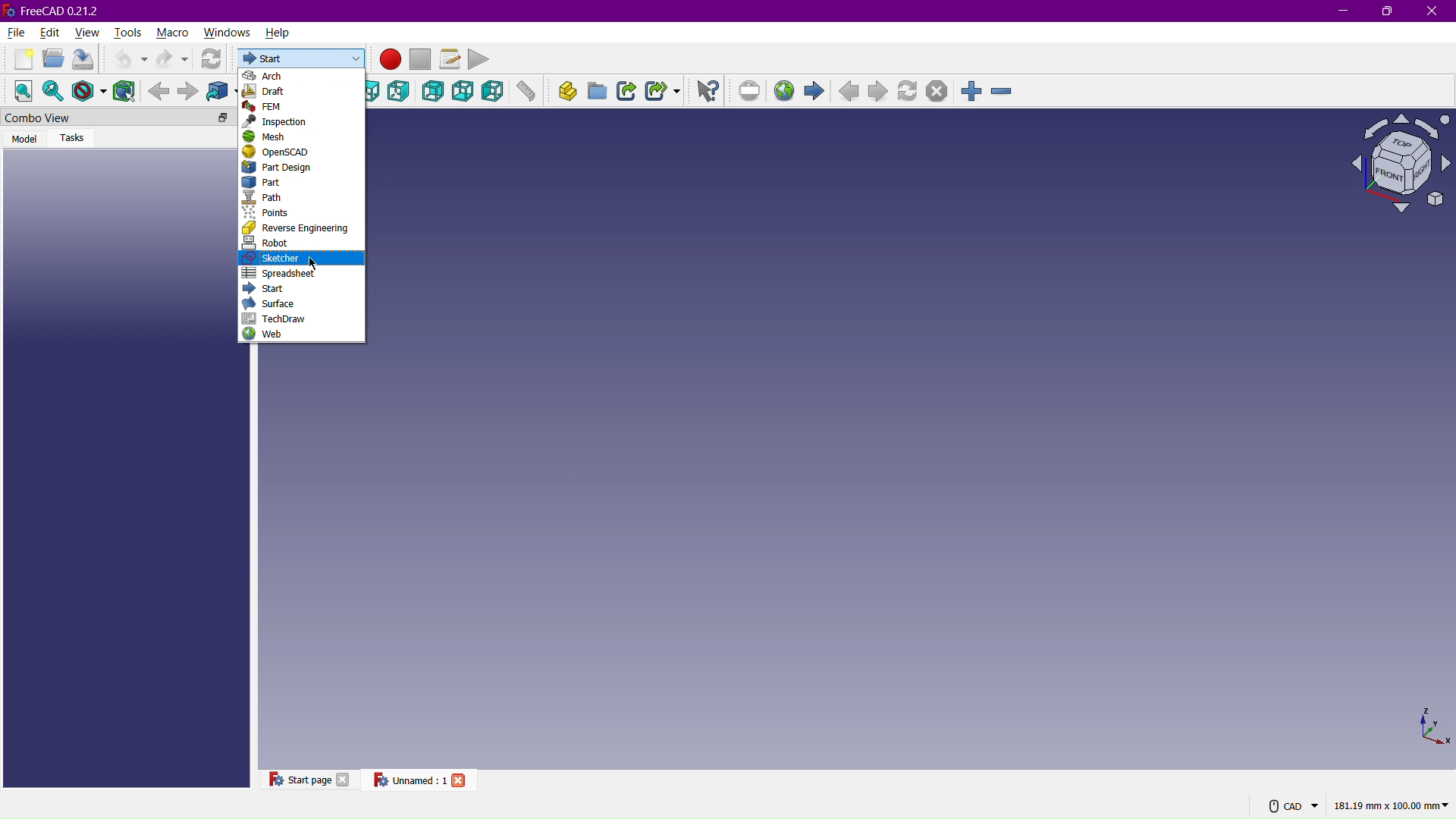 The height and width of the screenshot is (819, 1456). I want to click on Zoom in, so click(970, 91).